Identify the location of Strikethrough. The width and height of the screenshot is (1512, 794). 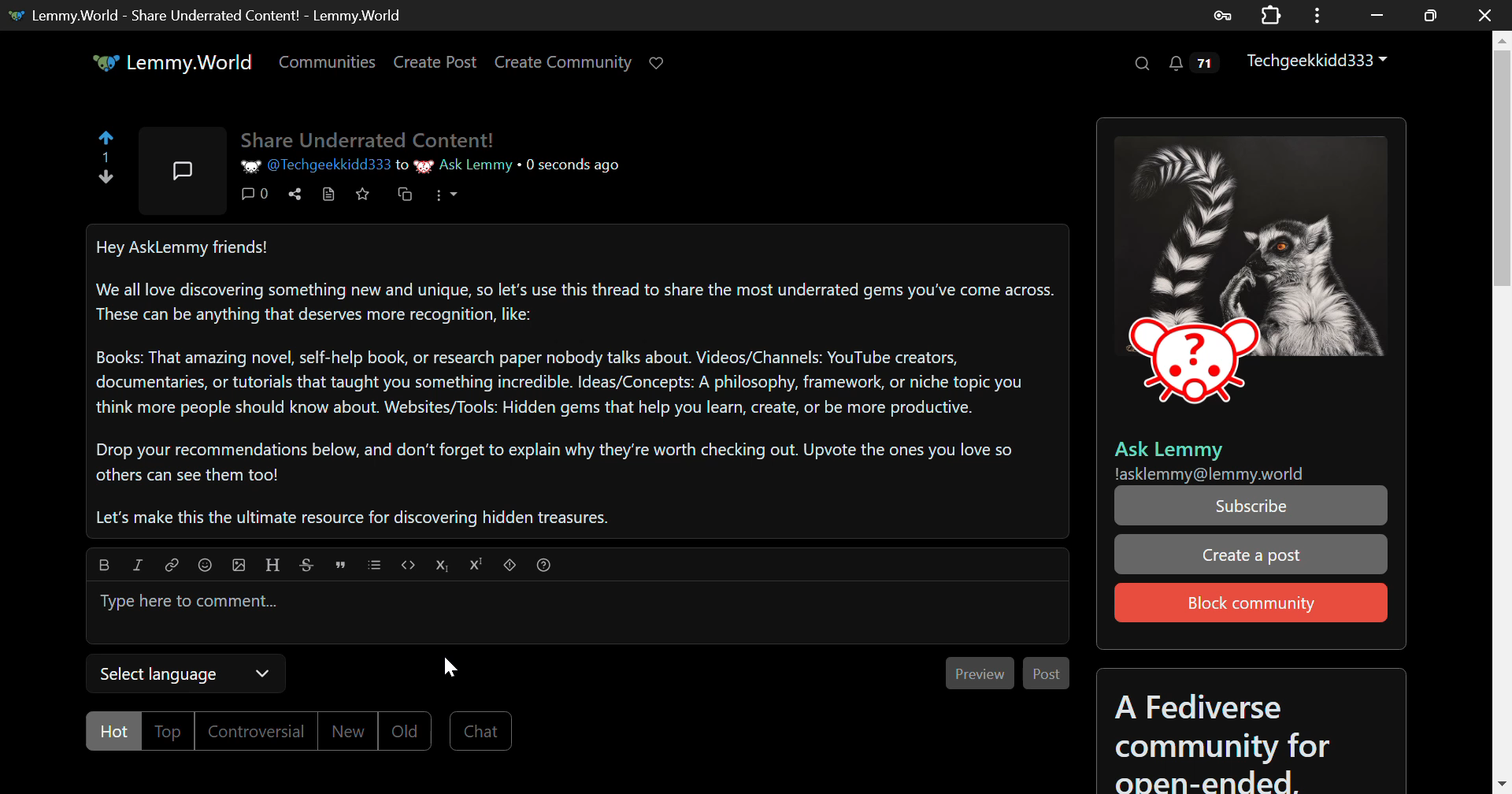
(309, 566).